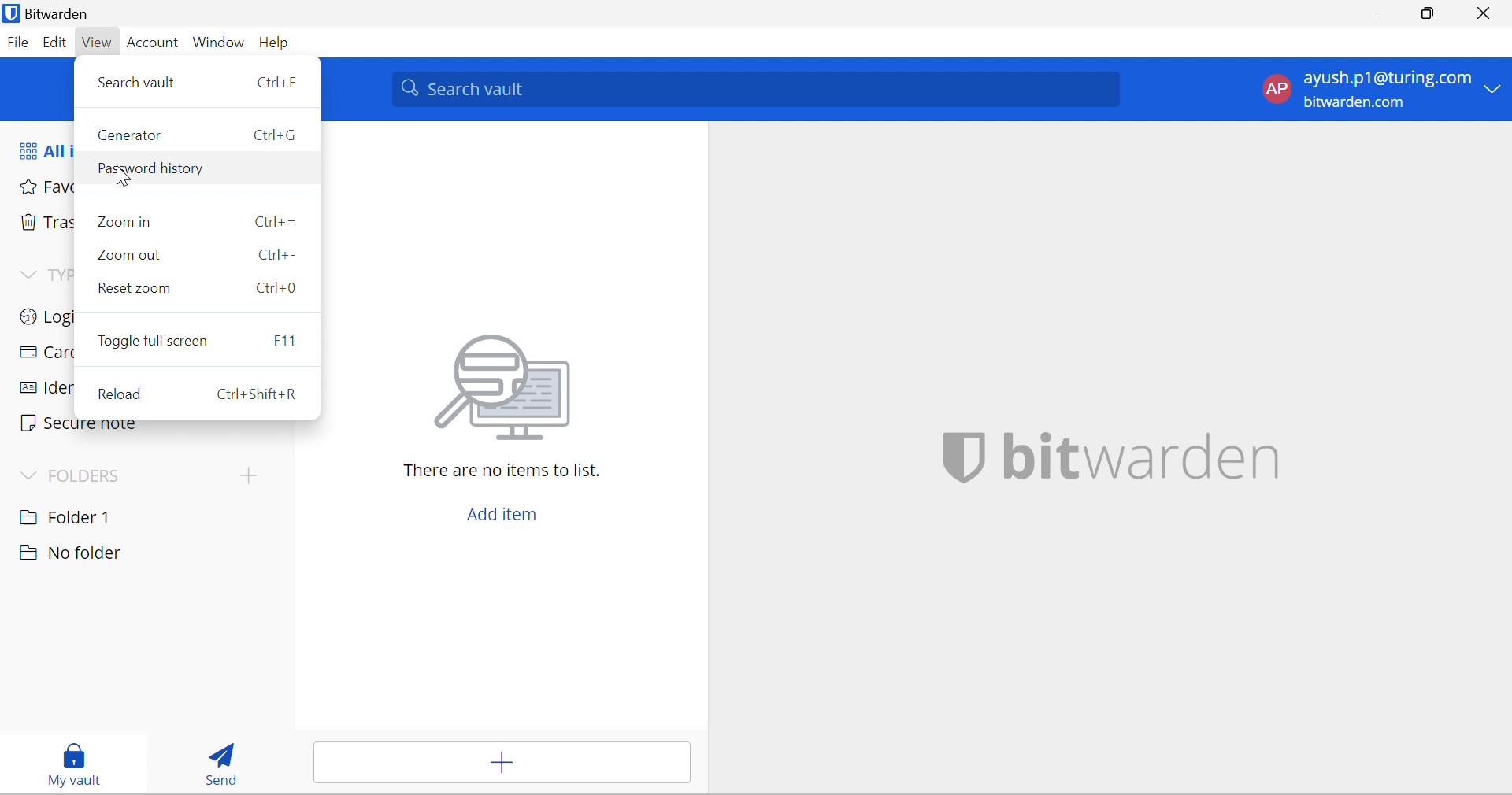  Describe the element at coordinates (78, 474) in the screenshot. I see `folders` at that location.